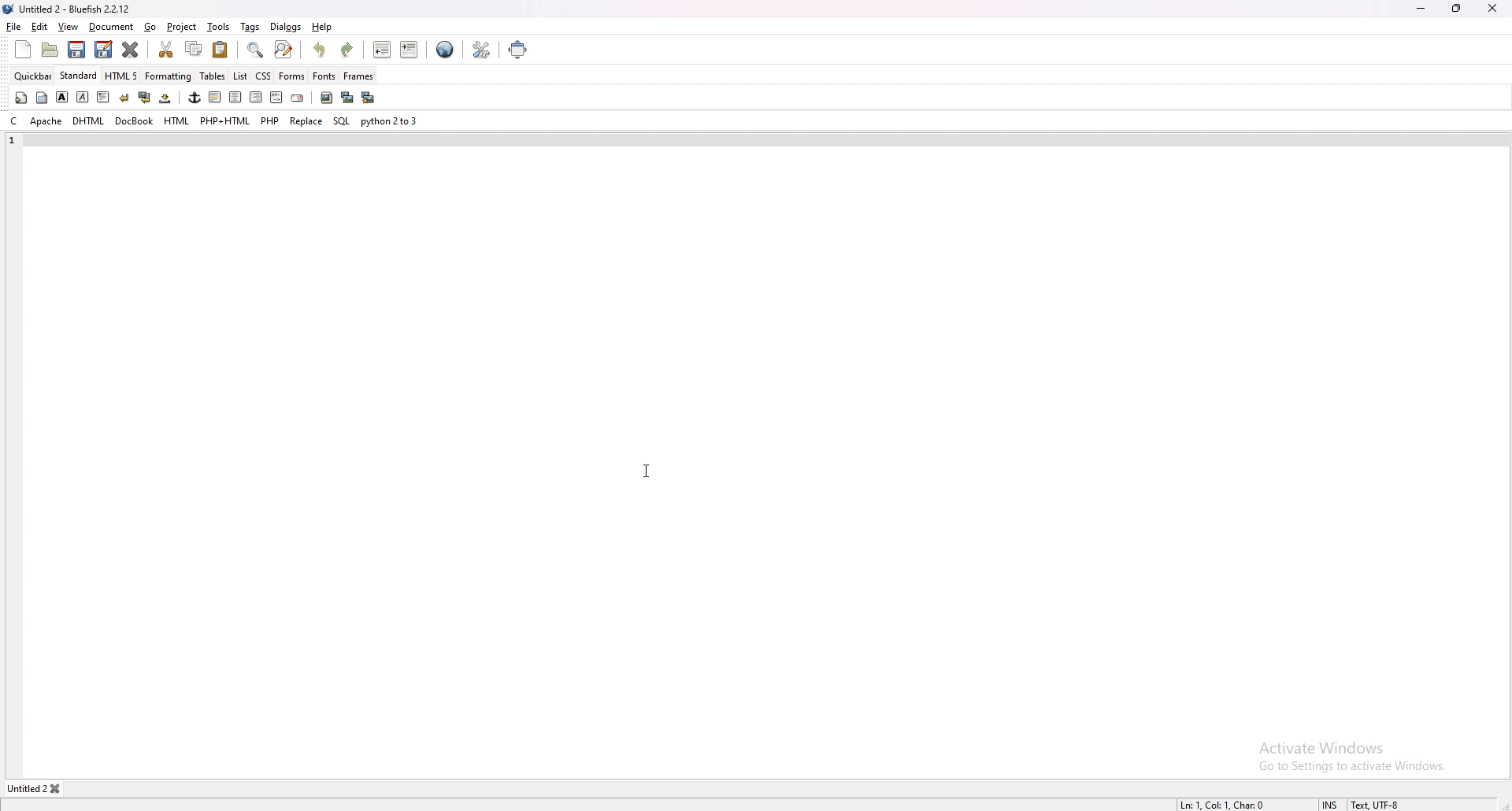  I want to click on formatting, so click(169, 76).